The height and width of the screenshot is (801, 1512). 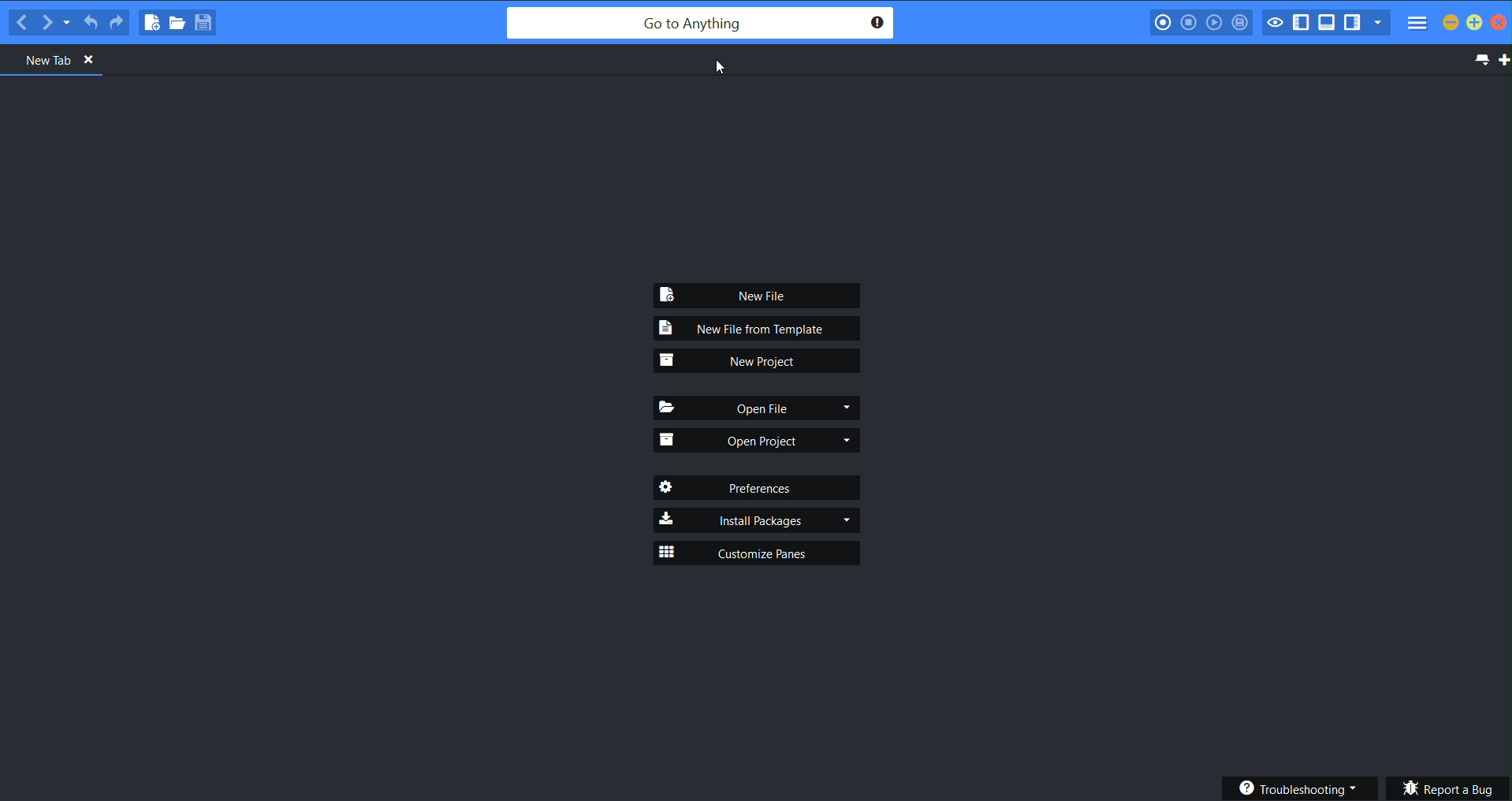 What do you see at coordinates (1503, 64) in the screenshot?
I see `new tab` at bounding box center [1503, 64].